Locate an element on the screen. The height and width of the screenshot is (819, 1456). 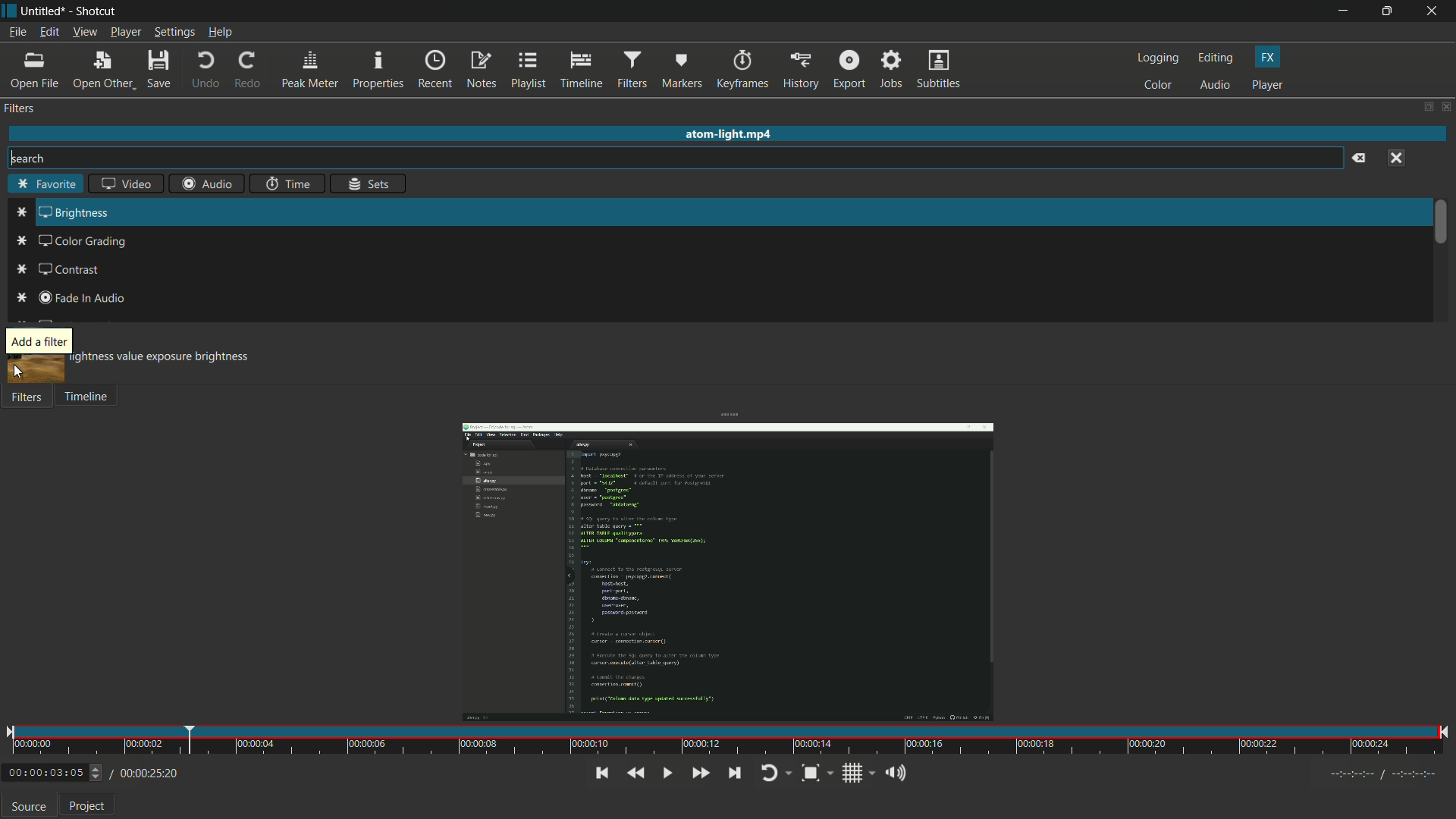
export is located at coordinates (849, 68).